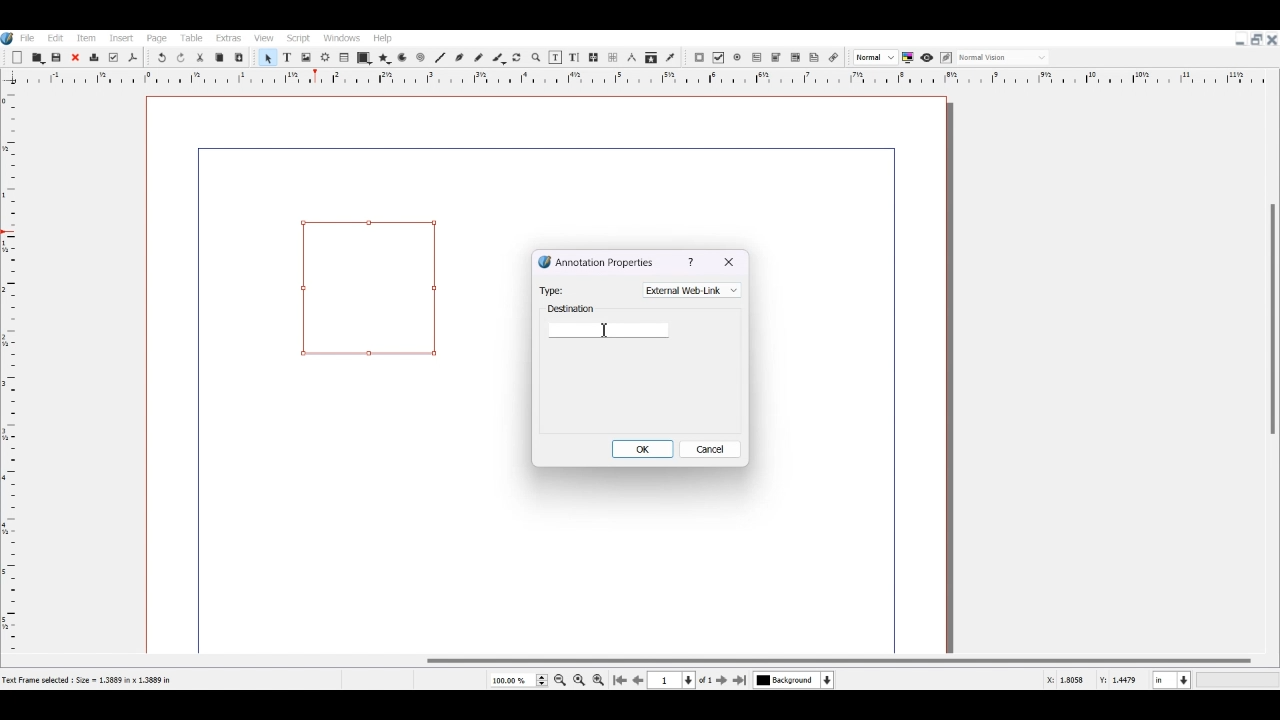 The image size is (1280, 720). Describe the element at coordinates (579, 679) in the screenshot. I see `Zoom to 100%` at that location.